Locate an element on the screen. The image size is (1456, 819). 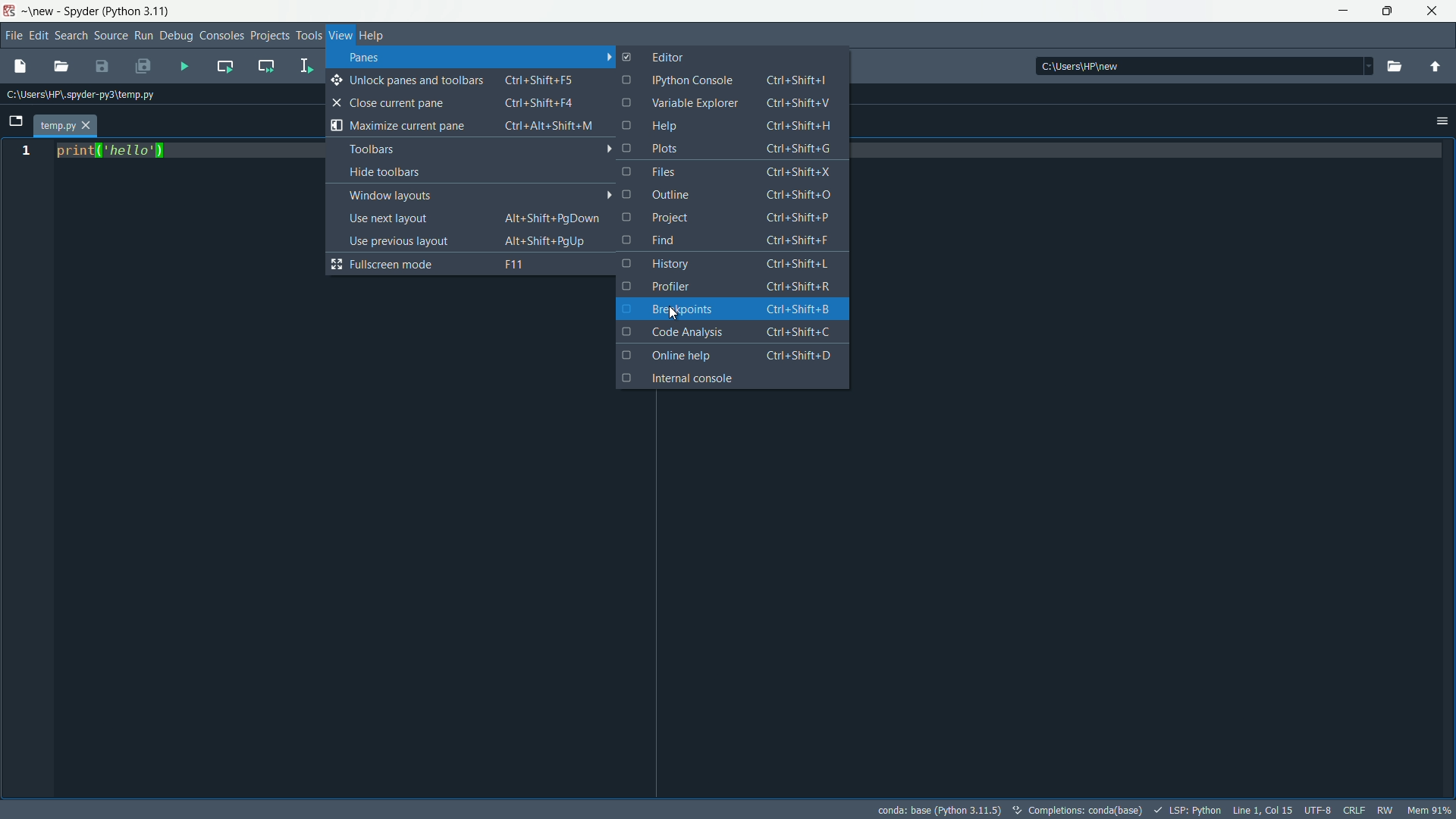
outline is located at coordinates (738, 197).